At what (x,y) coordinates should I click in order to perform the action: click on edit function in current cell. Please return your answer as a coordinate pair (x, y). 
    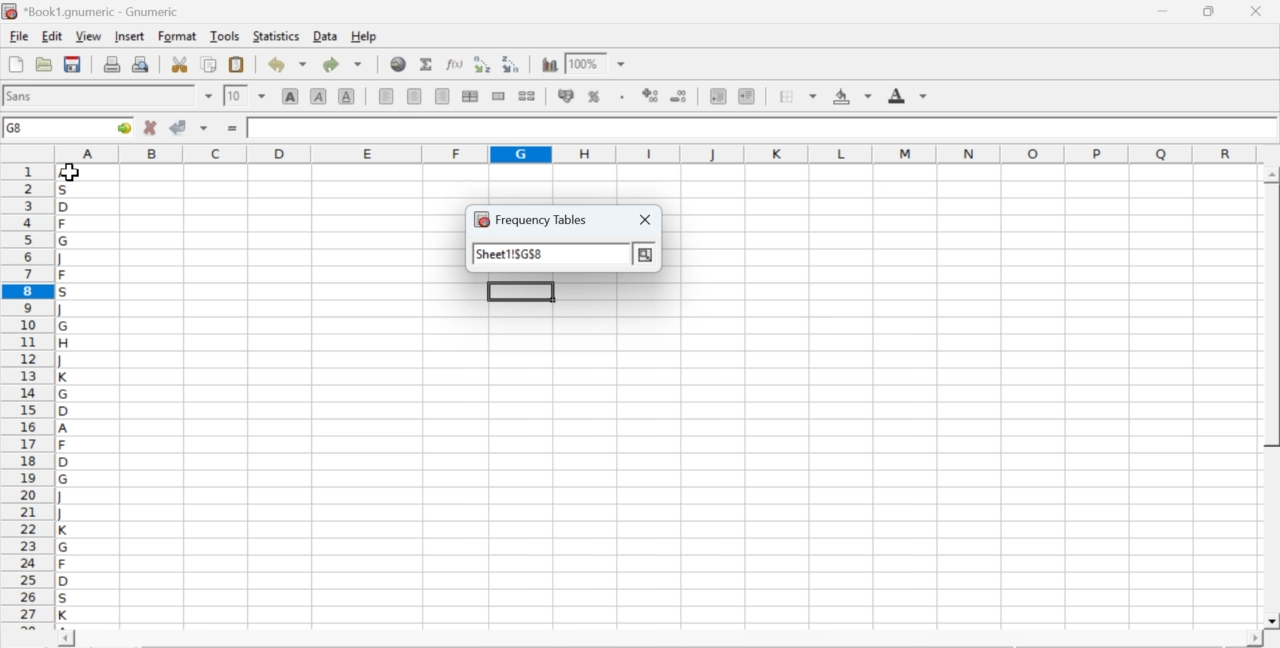
    Looking at the image, I should click on (456, 63).